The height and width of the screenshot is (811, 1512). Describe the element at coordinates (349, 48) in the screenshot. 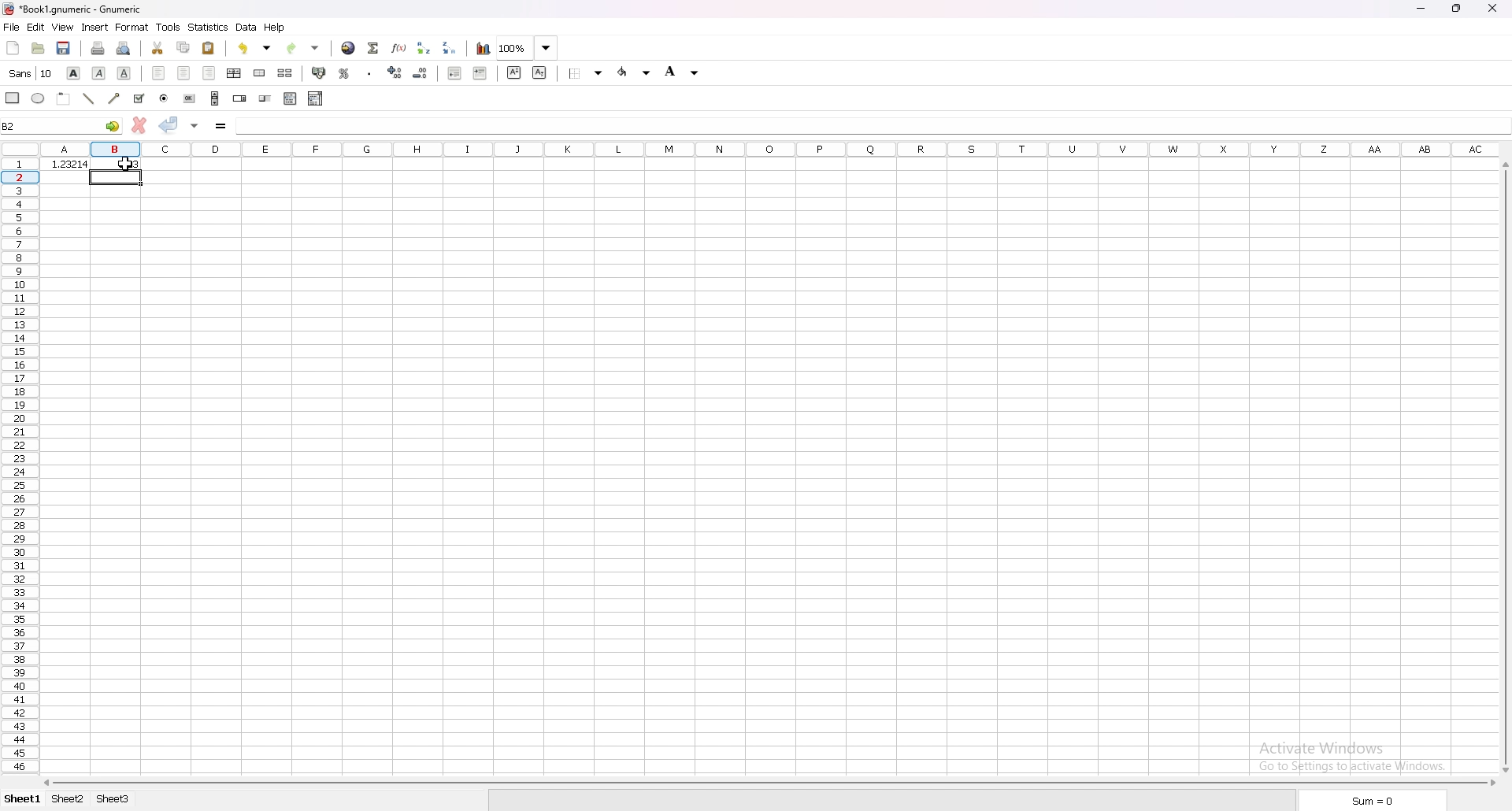

I see `hyperlink` at that location.